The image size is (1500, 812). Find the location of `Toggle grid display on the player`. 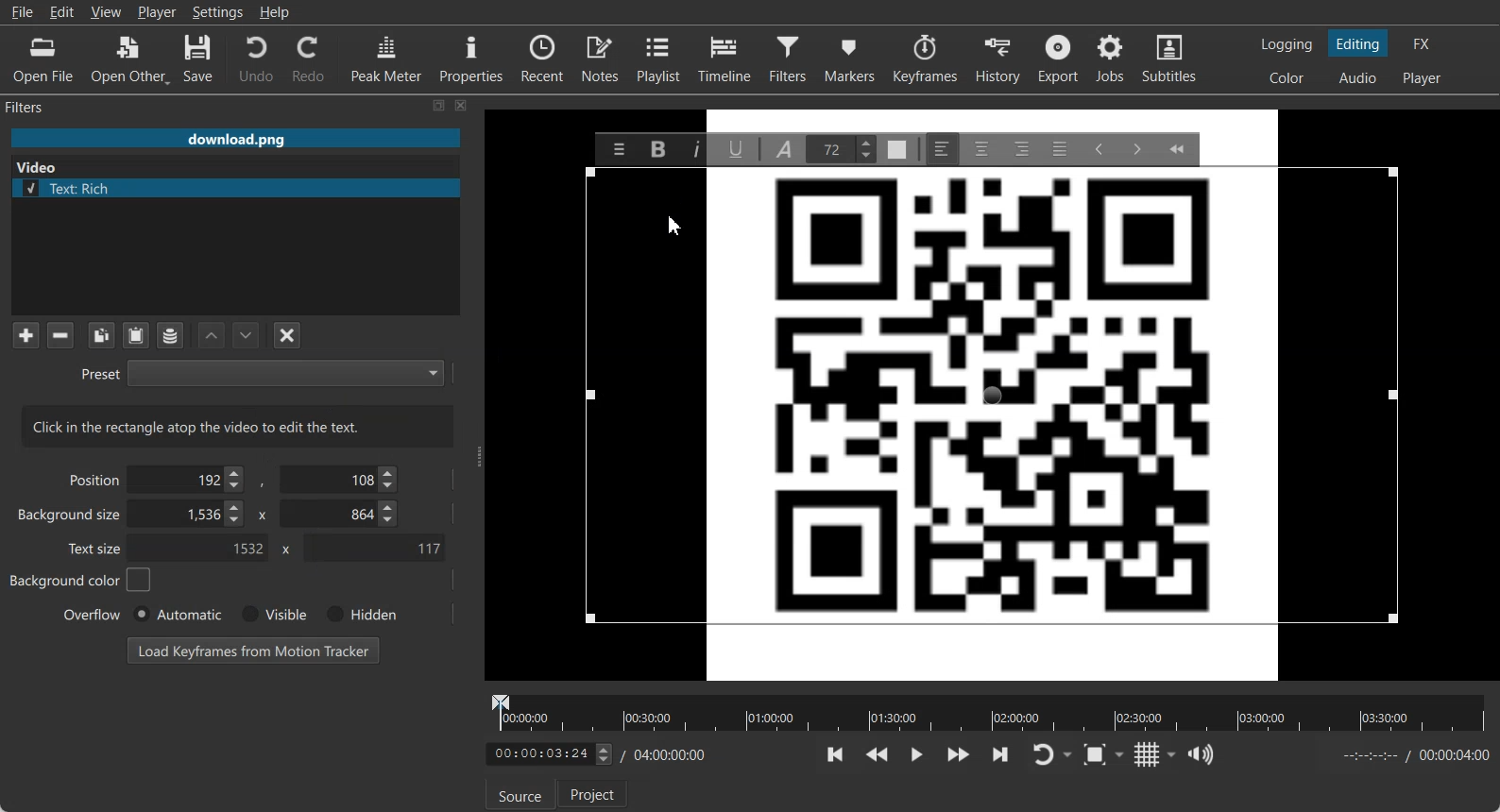

Toggle grid display on the player is located at coordinates (1148, 755).